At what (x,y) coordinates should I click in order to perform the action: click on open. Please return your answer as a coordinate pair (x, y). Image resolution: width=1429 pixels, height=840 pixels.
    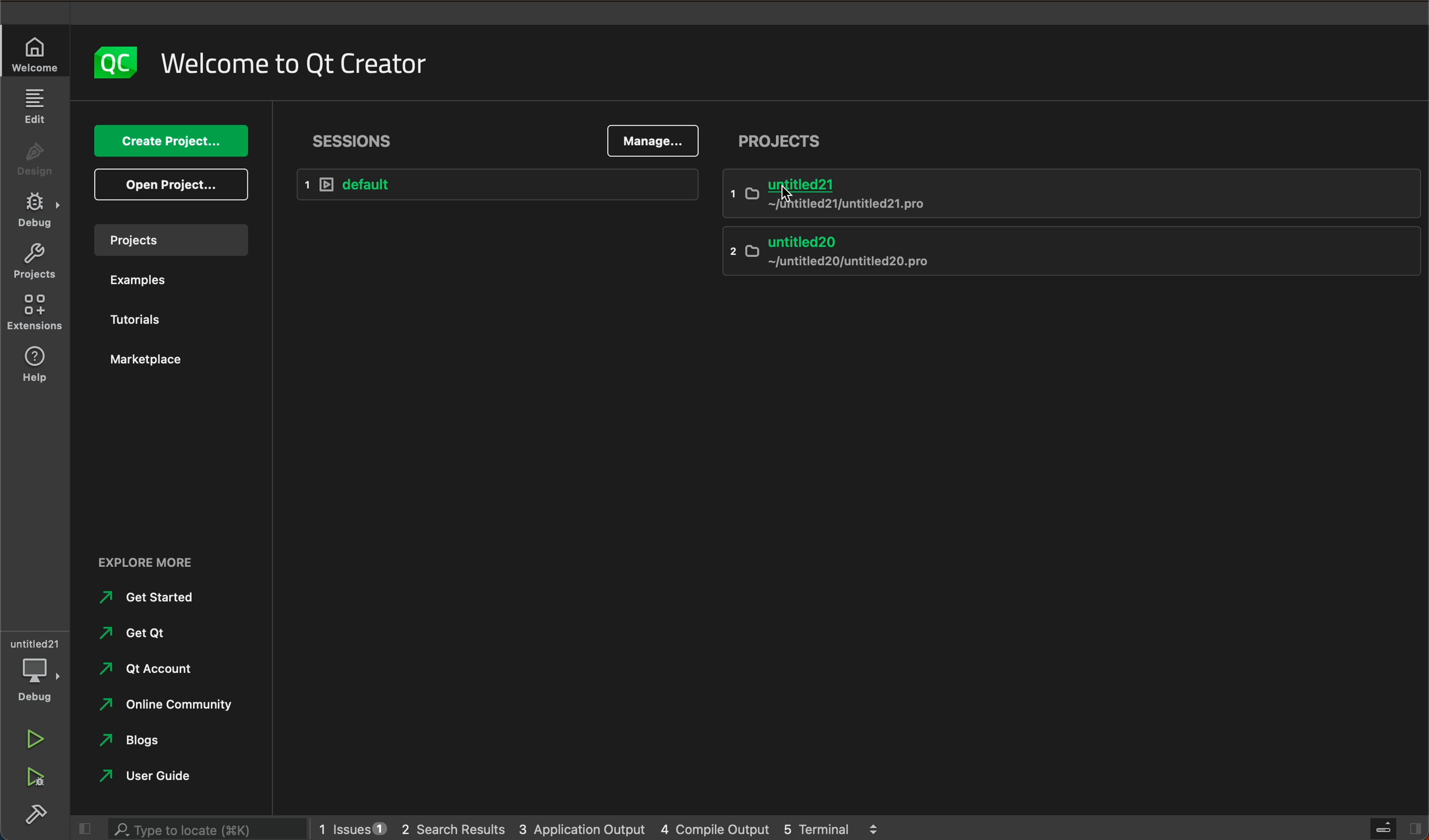
    Looking at the image, I should click on (175, 184).